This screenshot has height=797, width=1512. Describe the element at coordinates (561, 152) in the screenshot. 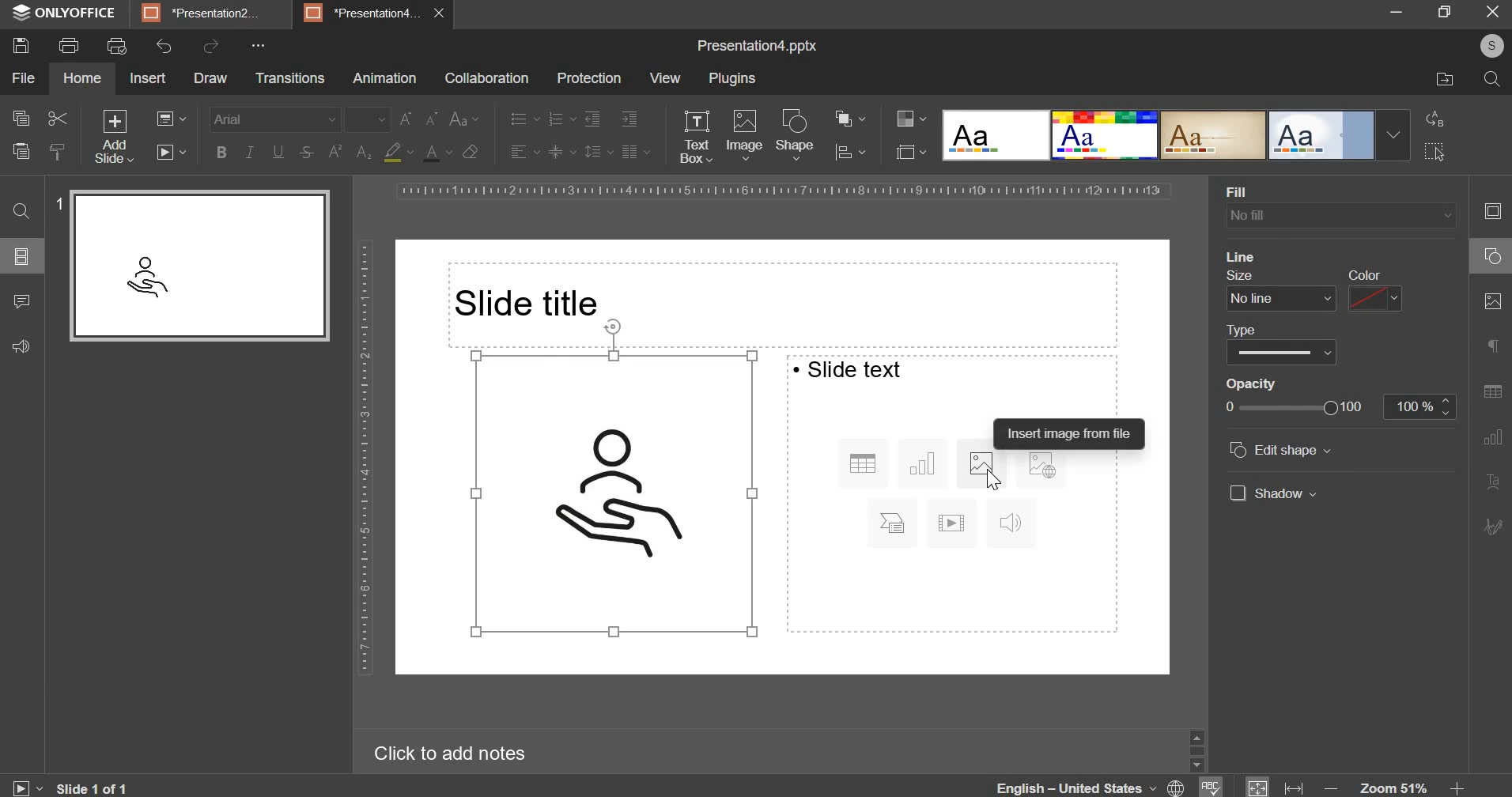

I see `vertical alignment` at that location.